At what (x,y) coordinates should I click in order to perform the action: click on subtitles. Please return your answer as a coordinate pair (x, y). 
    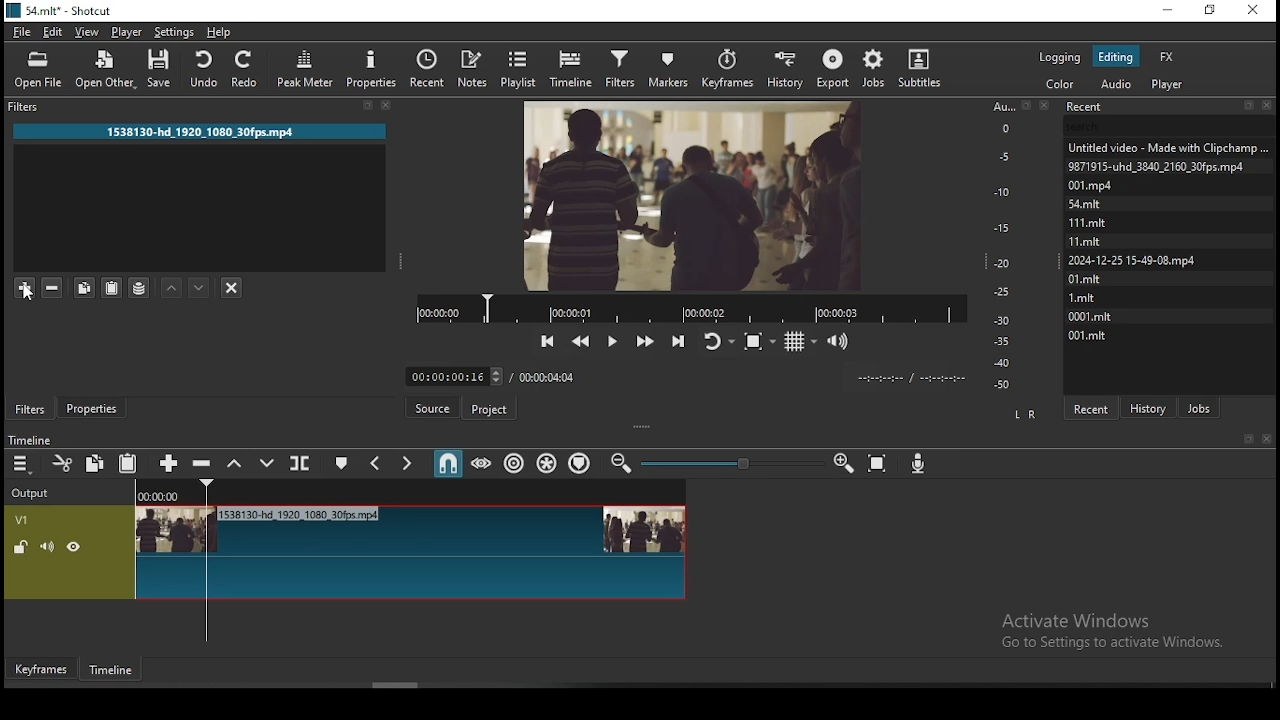
    Looking at the image, I should click on (924, 67).